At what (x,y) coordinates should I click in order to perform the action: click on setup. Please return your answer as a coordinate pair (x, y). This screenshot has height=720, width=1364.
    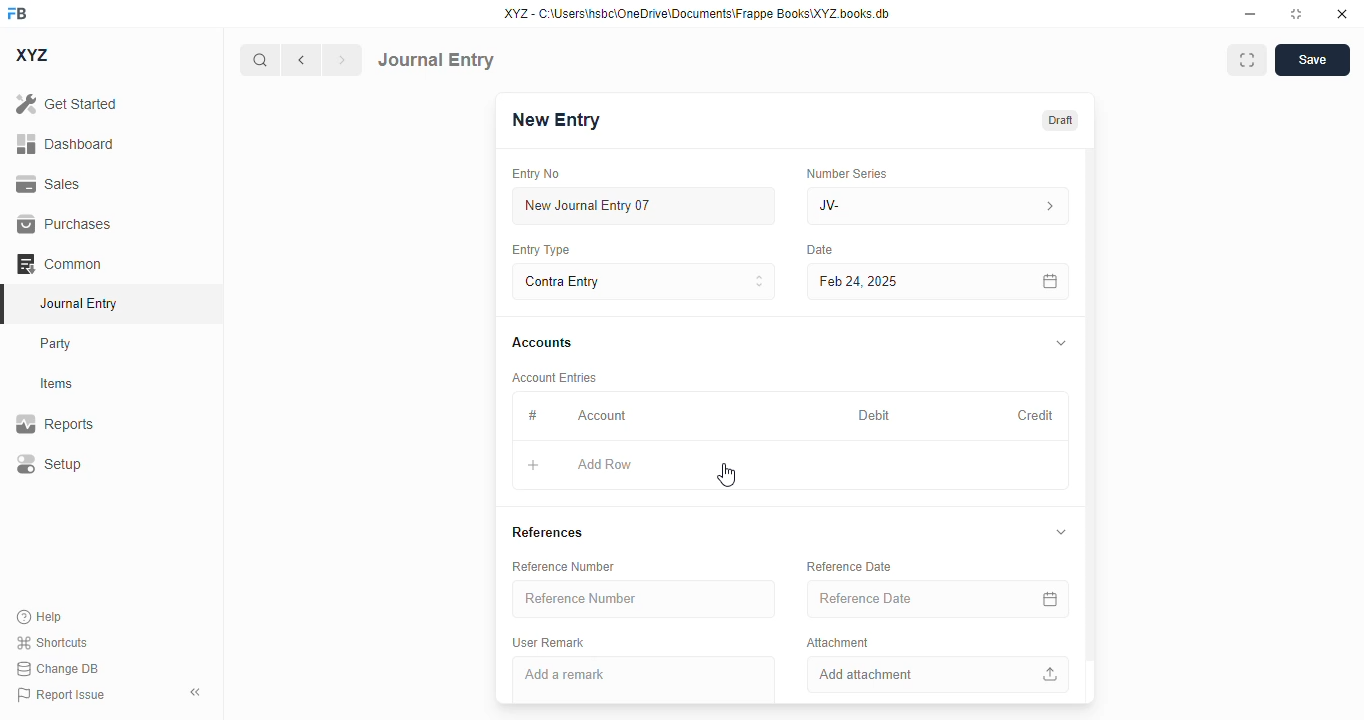
    Looking at the image, I should click on (49, 463).